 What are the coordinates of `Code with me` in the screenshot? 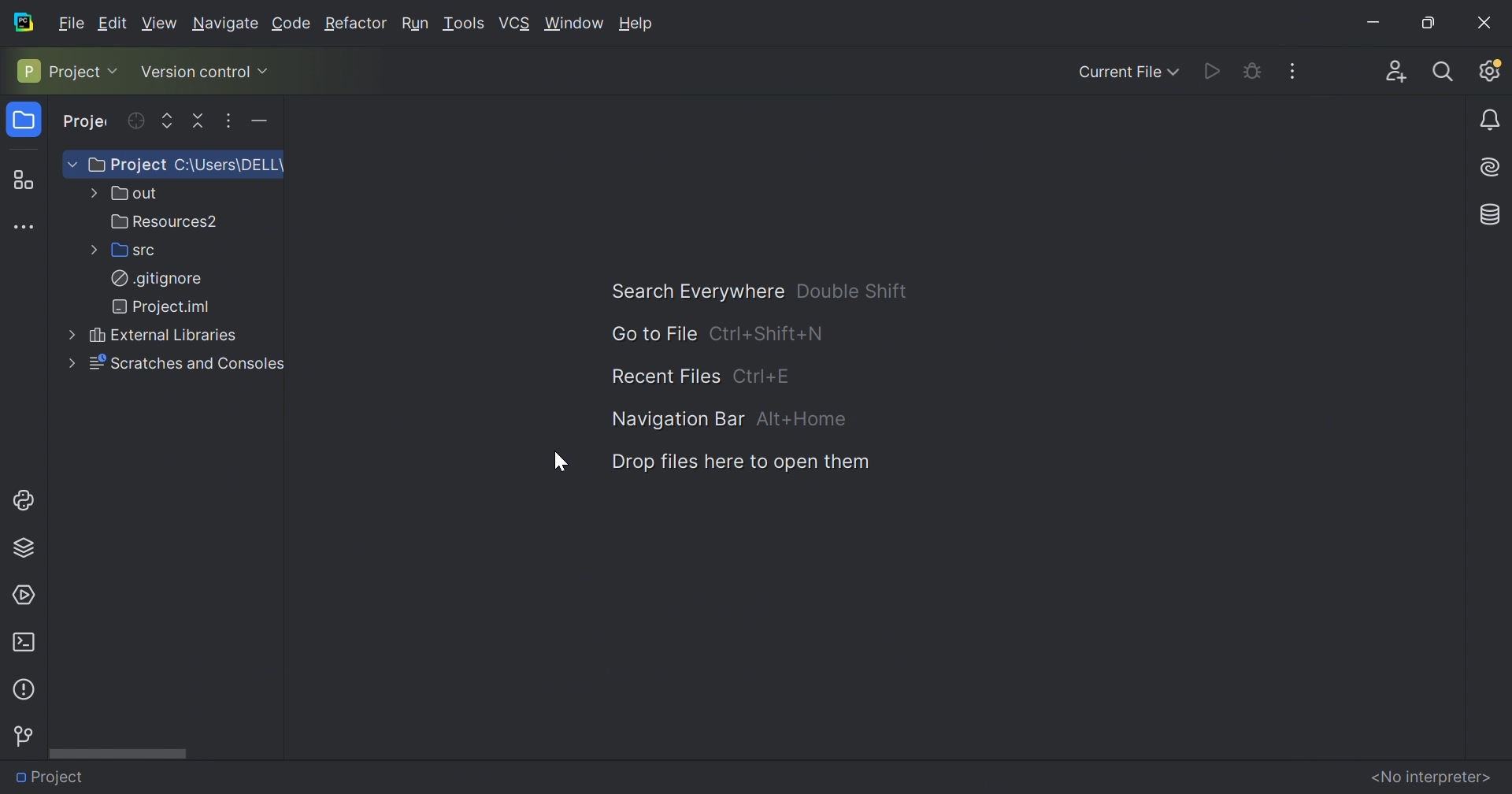 It's located at (1392, 67).